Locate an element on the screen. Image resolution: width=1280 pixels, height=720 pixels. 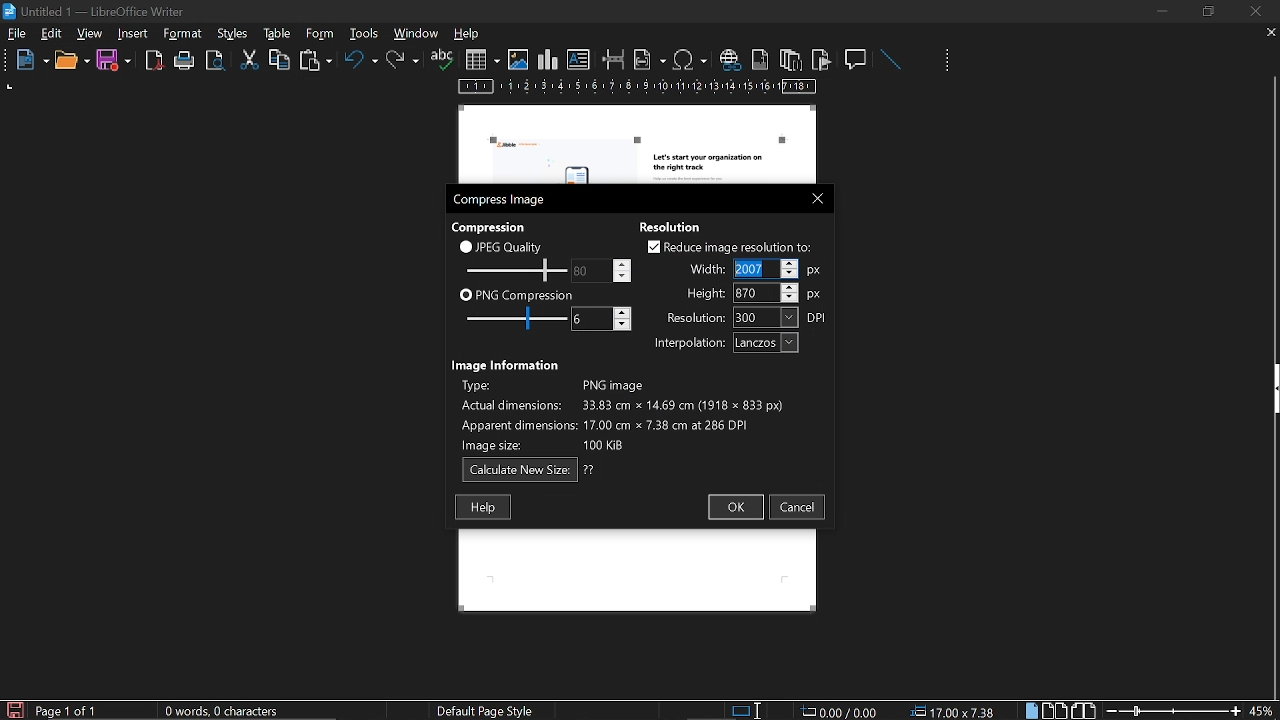
undo is located at coordinates (361, 63).